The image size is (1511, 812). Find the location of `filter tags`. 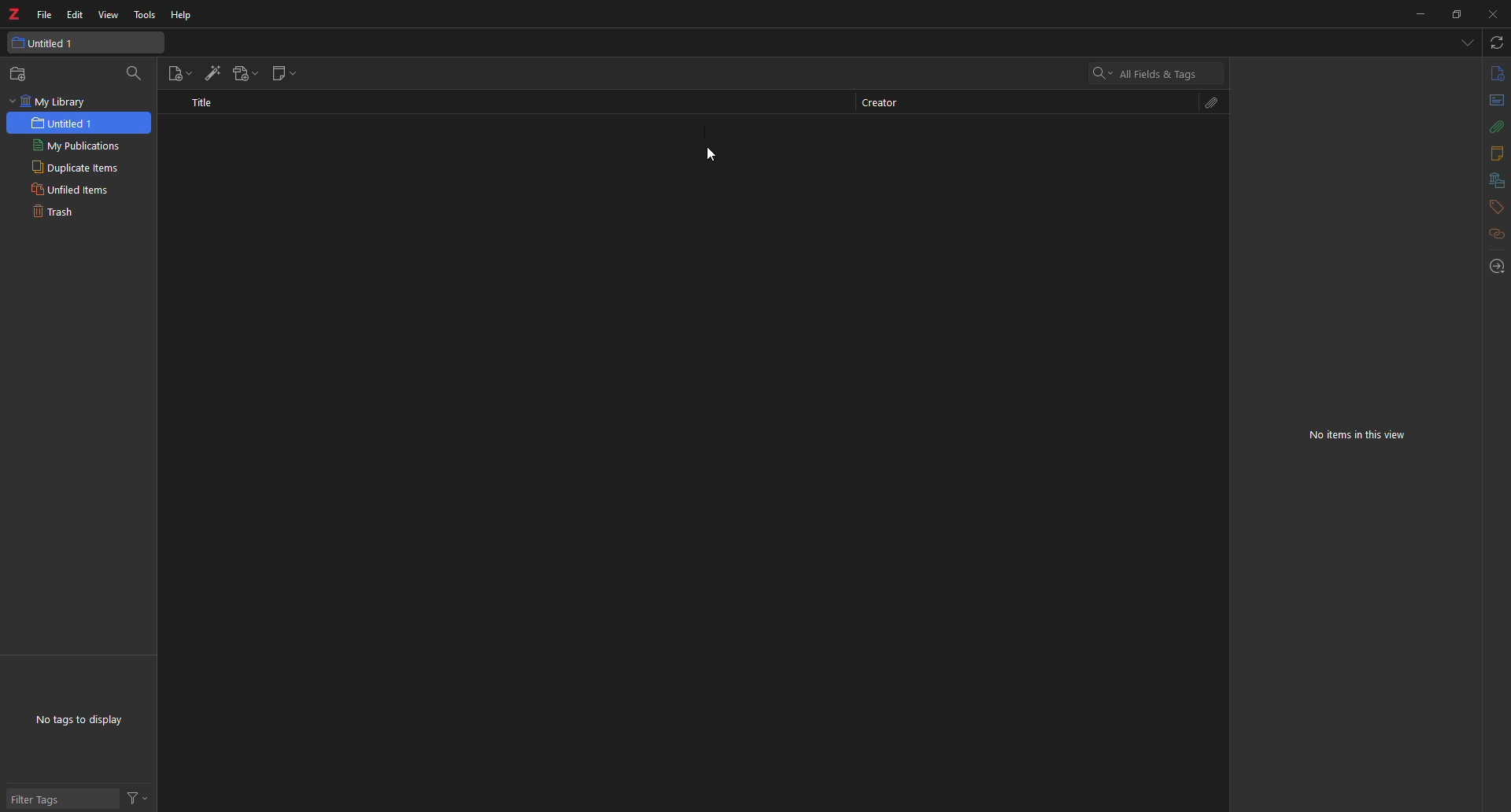

filter tags is located at coordinates (42, 793).